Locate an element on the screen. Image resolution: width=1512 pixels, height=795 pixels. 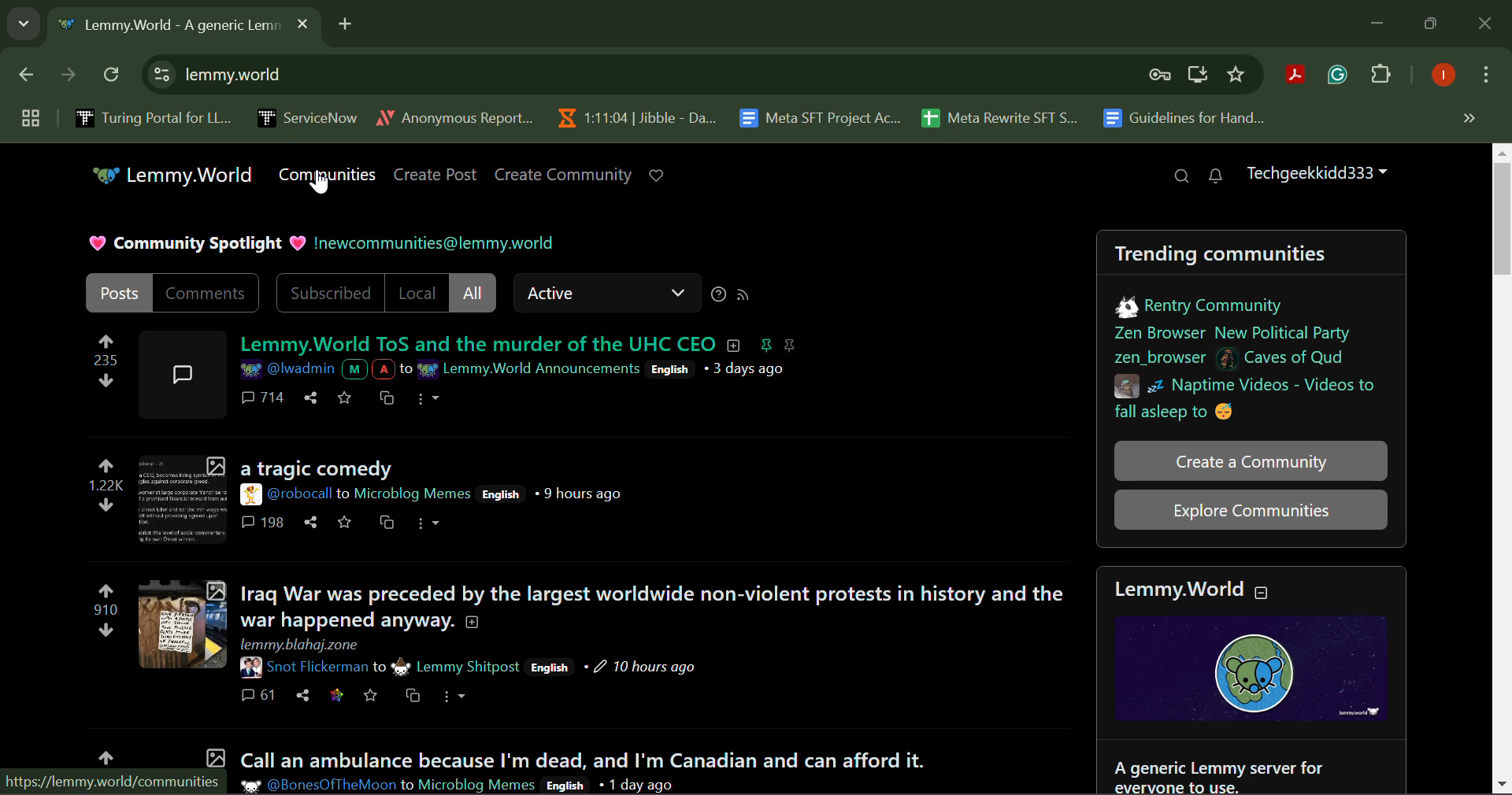
Communities is located at coordinates (331, 175).